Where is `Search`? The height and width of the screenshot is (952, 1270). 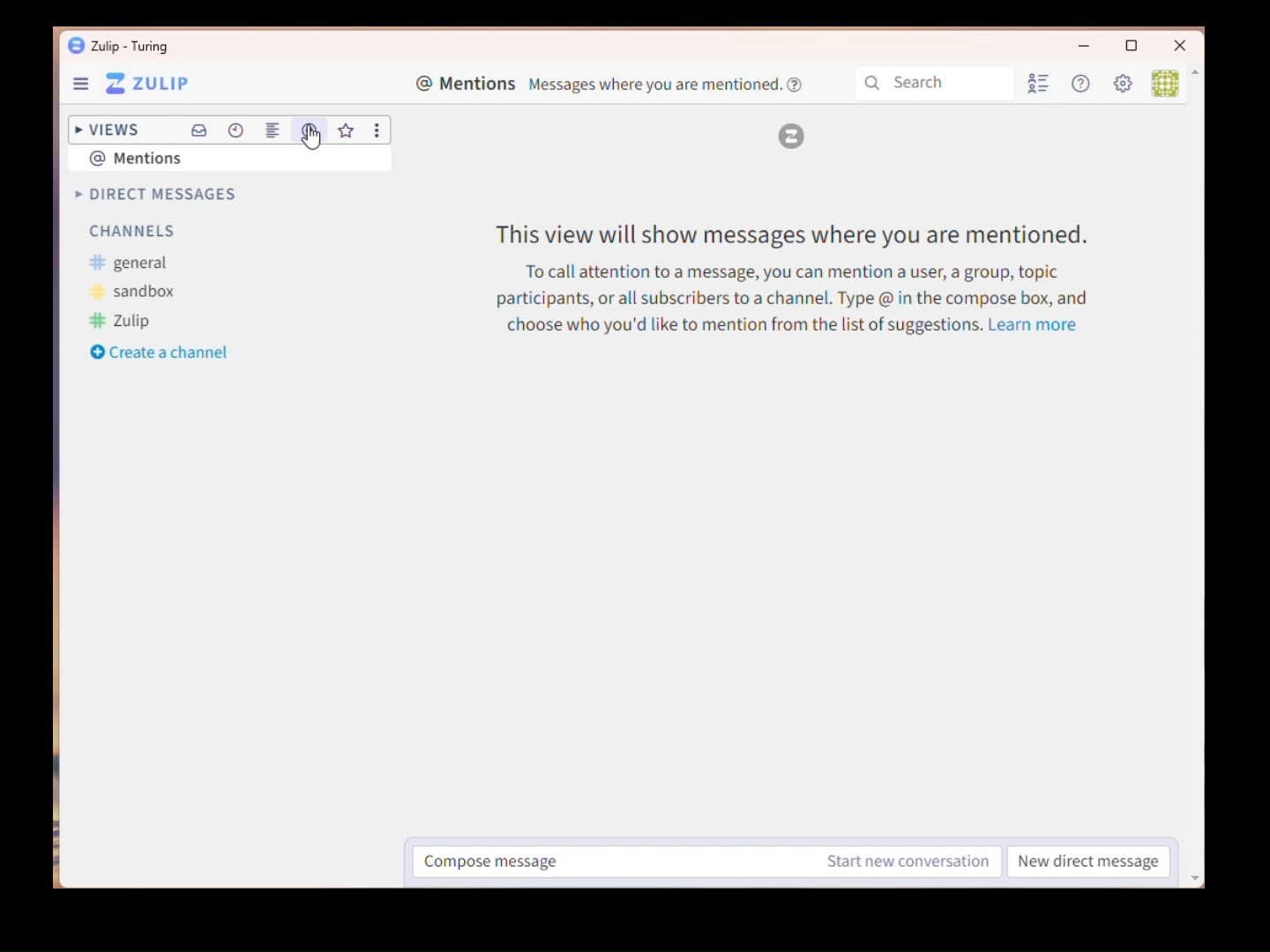 Search is located at coordinates (938, 83).